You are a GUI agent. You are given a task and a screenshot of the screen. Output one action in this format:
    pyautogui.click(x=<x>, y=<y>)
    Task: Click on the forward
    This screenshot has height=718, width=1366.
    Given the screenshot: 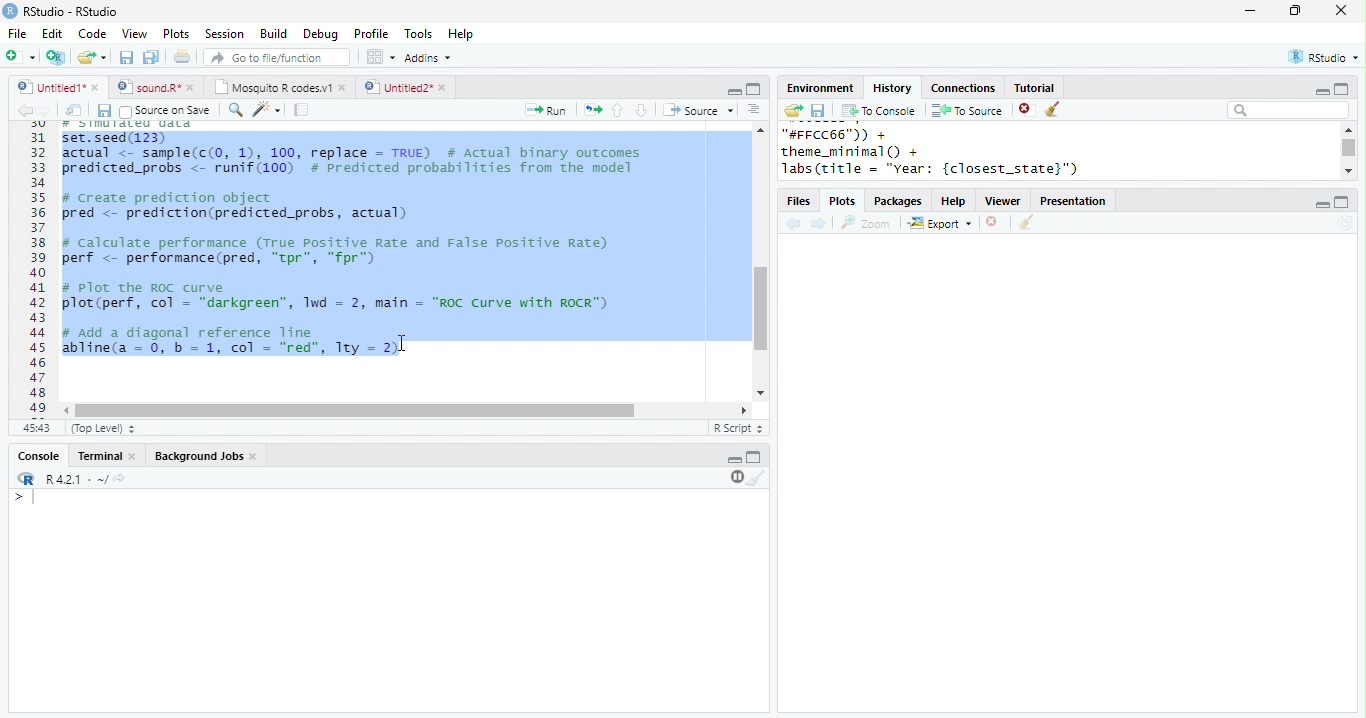 What is the action you would take?
    pyautogui.click(x=820, y=225)
    